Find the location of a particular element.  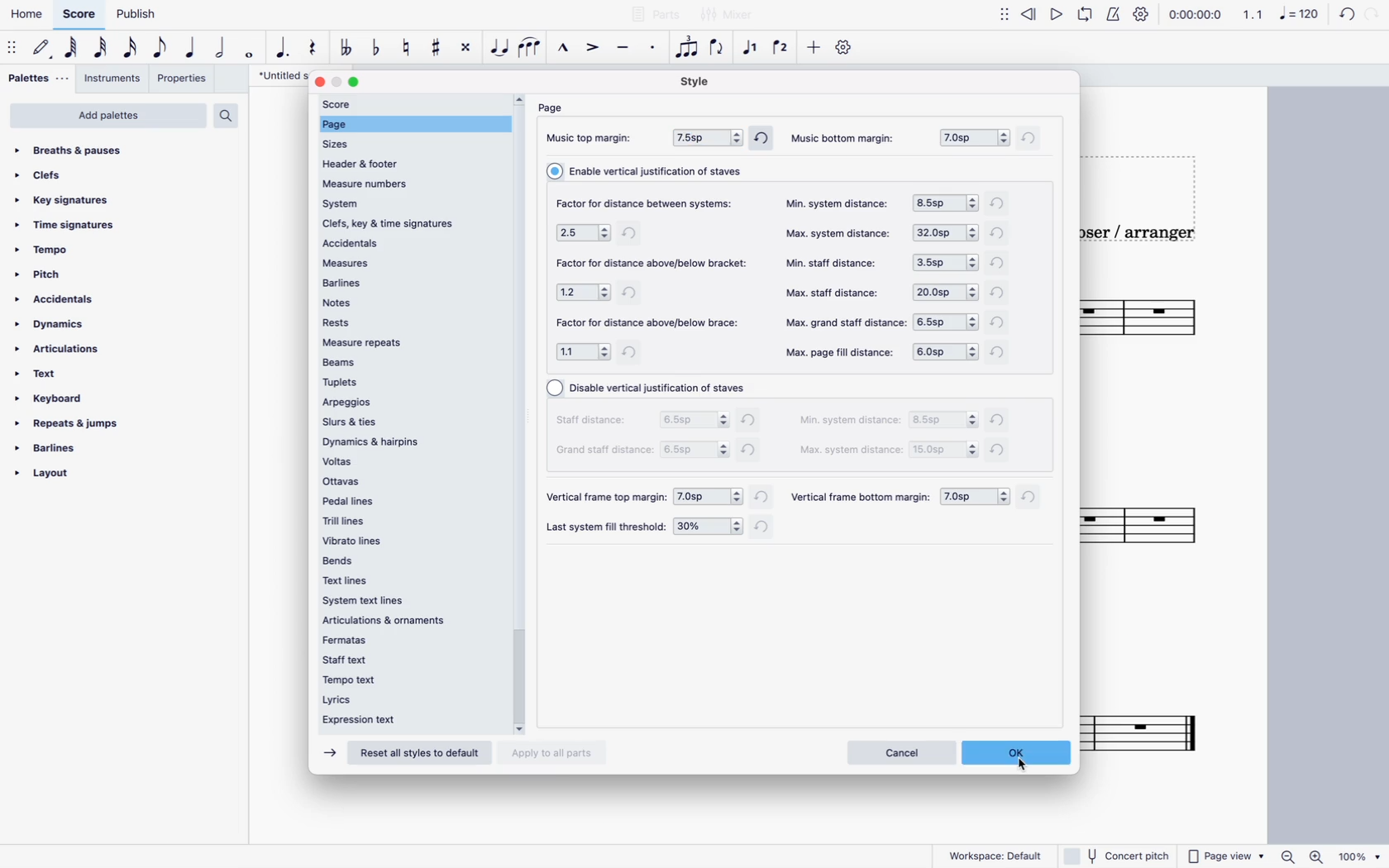

vertical frame is located at coordinates (604, 498).